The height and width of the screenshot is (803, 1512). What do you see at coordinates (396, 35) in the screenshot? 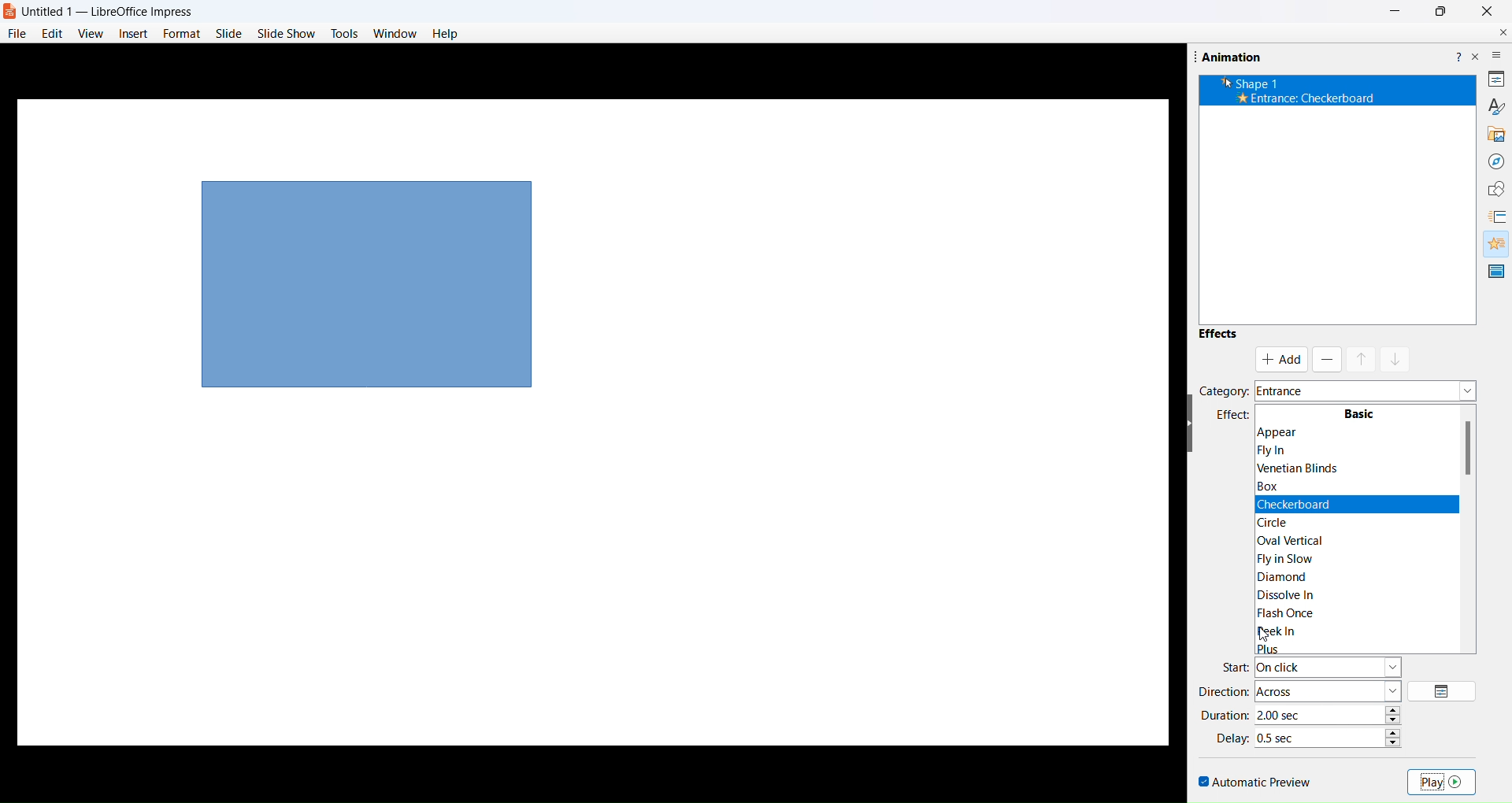
I see `window` at bounding box center [396, 35].